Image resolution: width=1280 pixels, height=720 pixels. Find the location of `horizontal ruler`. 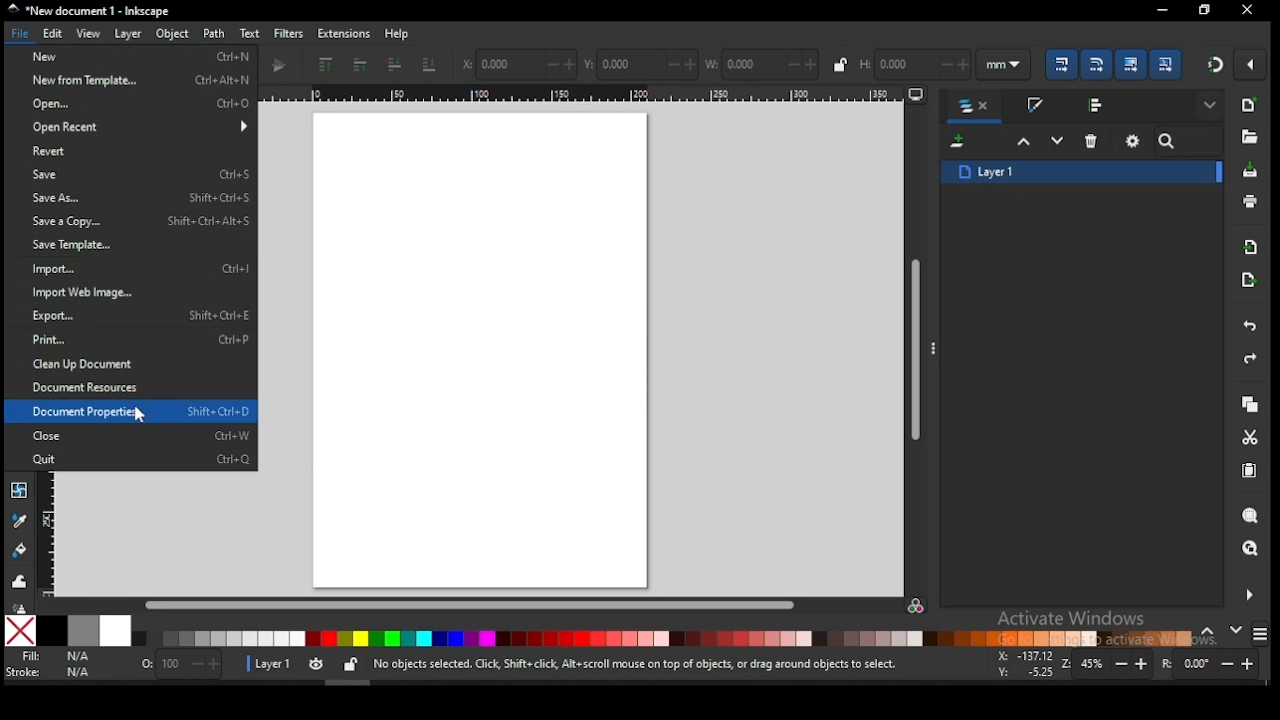

horizontal ruler is located at coordinates (596, 95).